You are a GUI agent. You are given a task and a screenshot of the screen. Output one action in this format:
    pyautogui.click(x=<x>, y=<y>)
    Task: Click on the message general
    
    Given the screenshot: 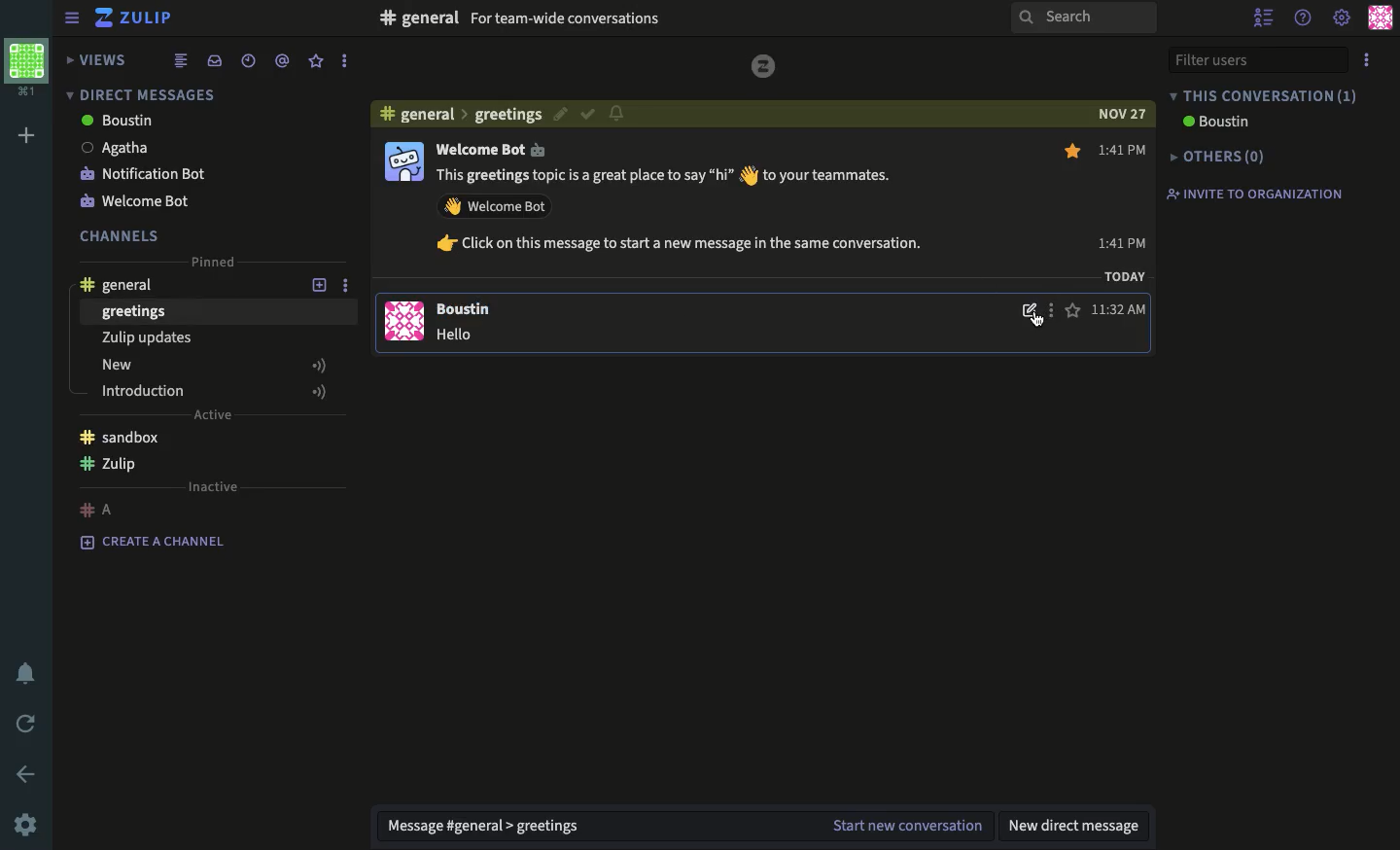 What is the action you would take?
    pyautogui.click(x=493, y=827)
    